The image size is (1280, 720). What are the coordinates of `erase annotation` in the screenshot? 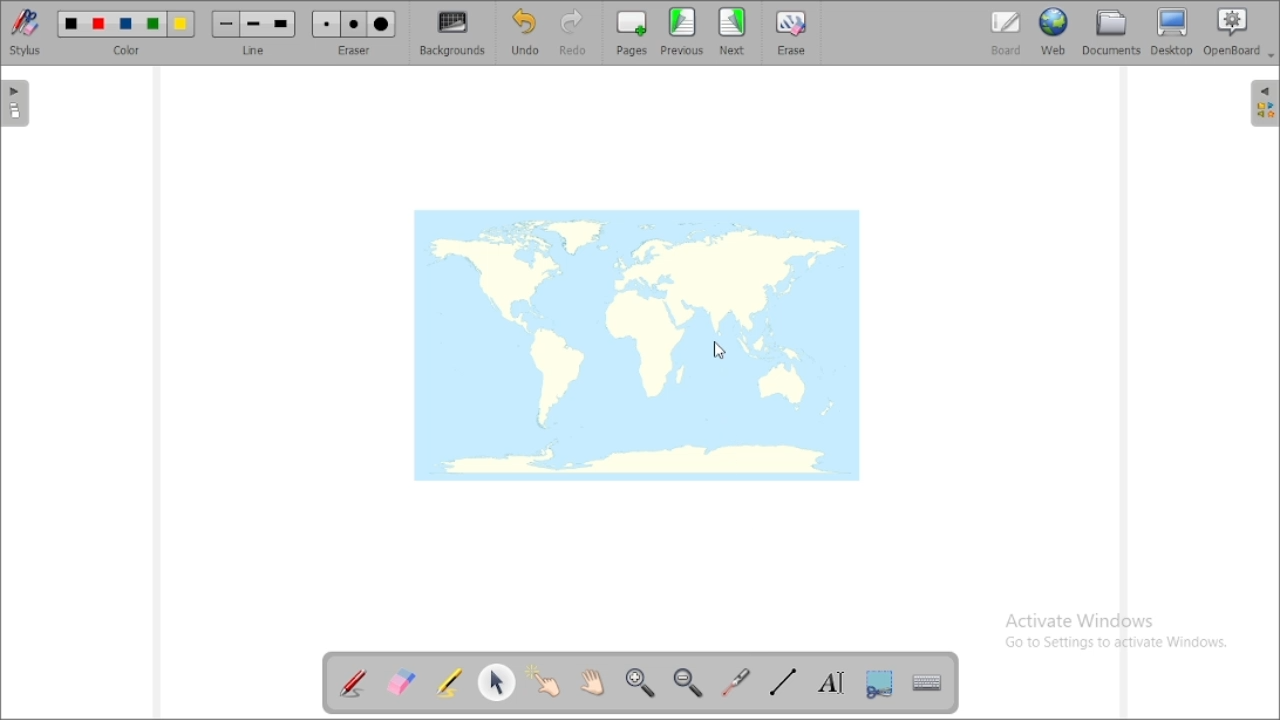 It's located at (400, 683).